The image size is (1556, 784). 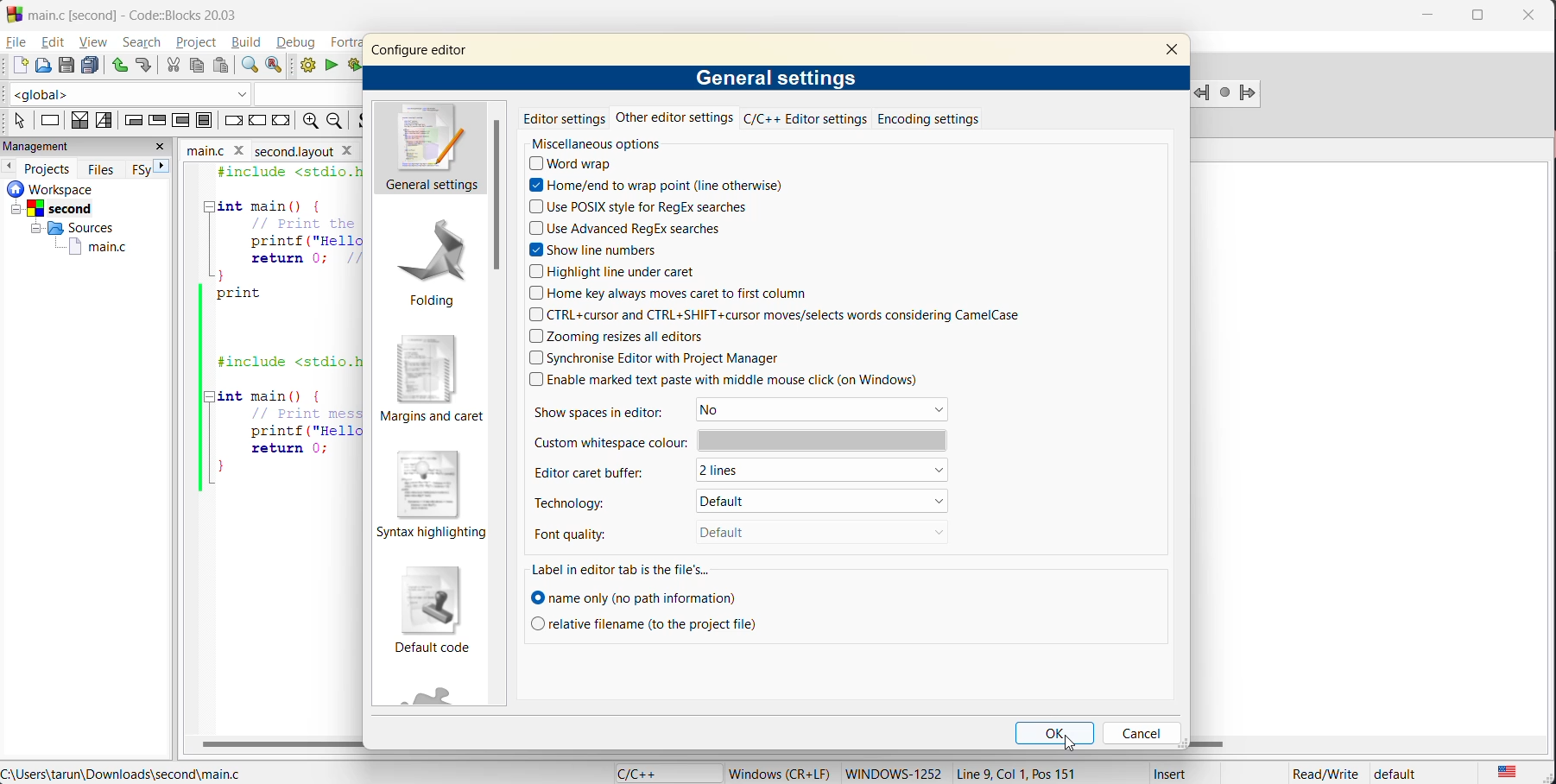 I want to click on Line 9, Col 1, Pos 151, so click(x=1032, y=769).